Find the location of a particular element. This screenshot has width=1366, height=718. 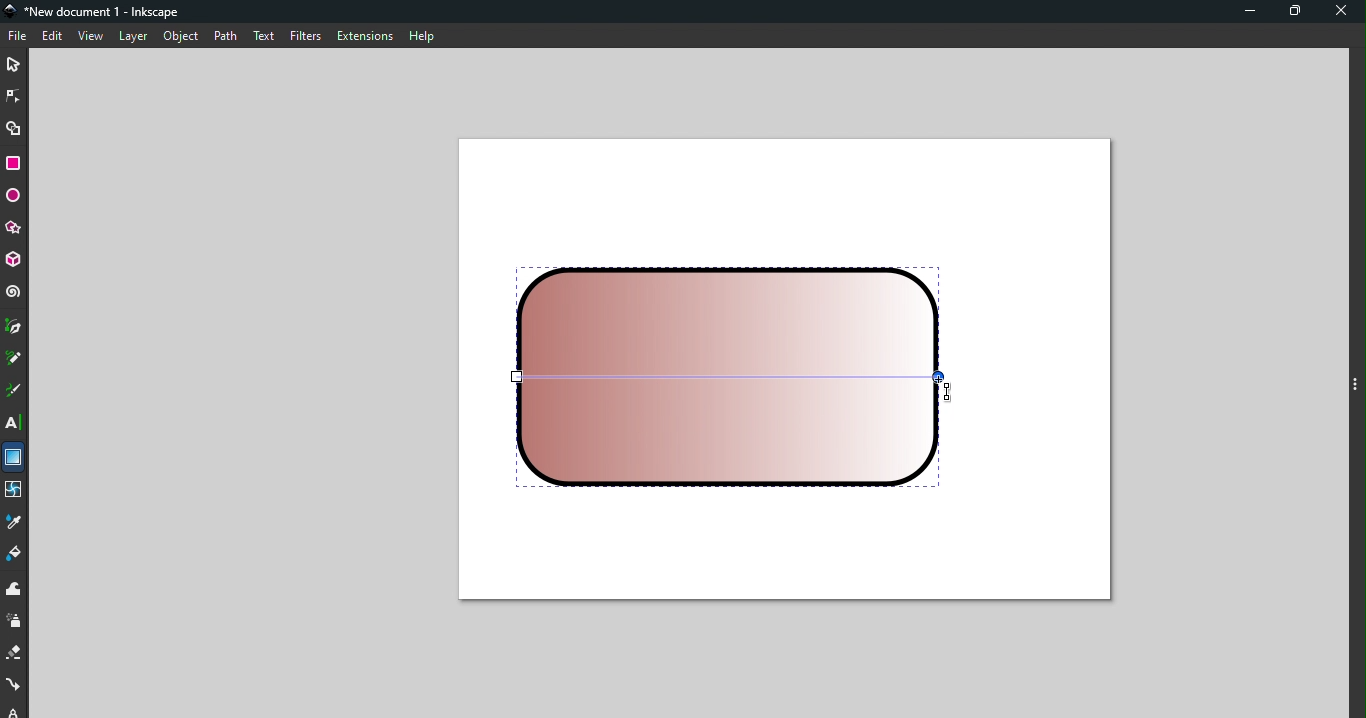

Close is located at coordinates (1343, 13).